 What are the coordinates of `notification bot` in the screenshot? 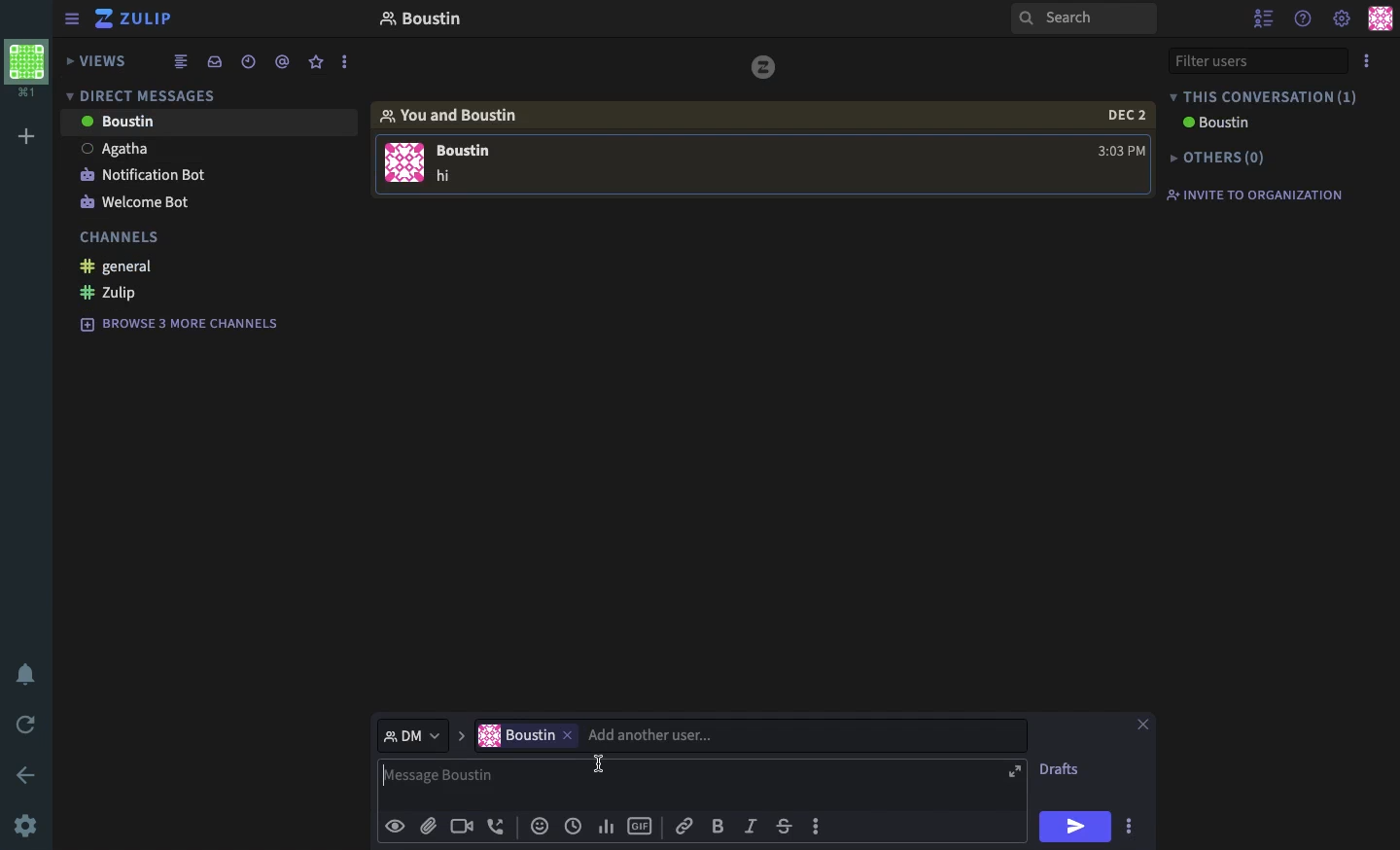 It's located at (144, 175).